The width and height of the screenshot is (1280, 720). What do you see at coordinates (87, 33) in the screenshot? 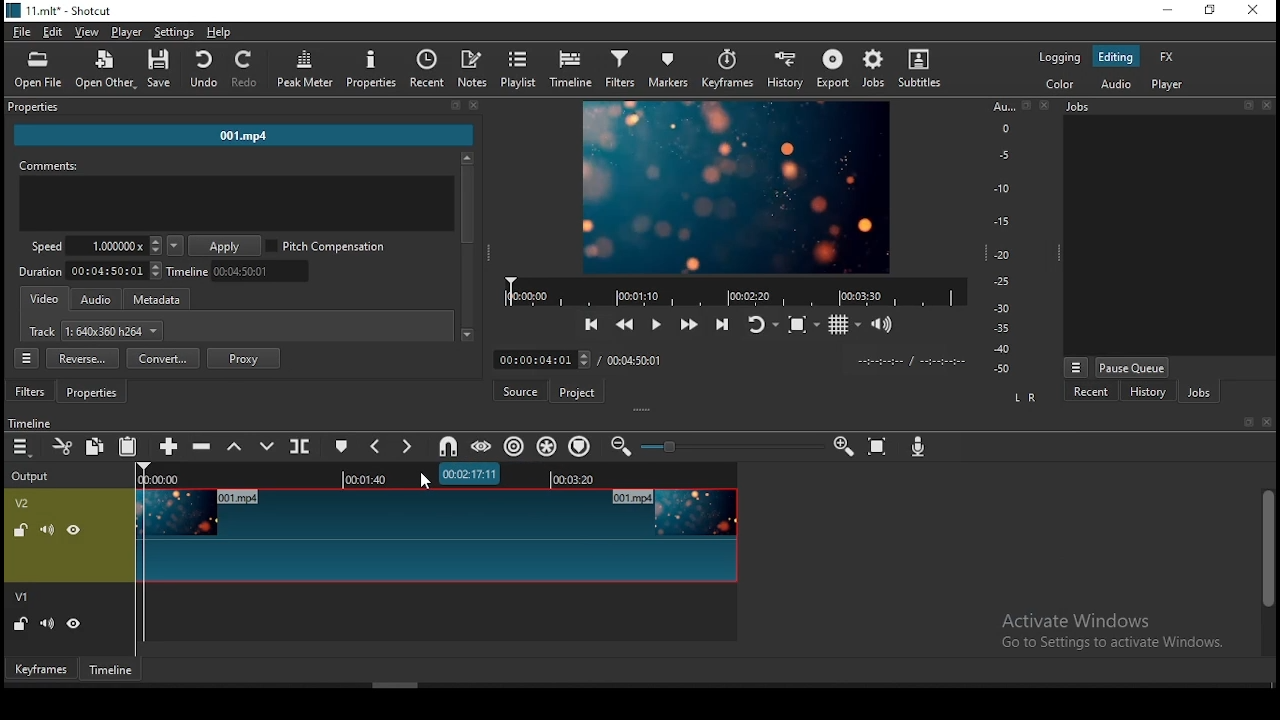
I see `view` at bounding box center [87, 33].